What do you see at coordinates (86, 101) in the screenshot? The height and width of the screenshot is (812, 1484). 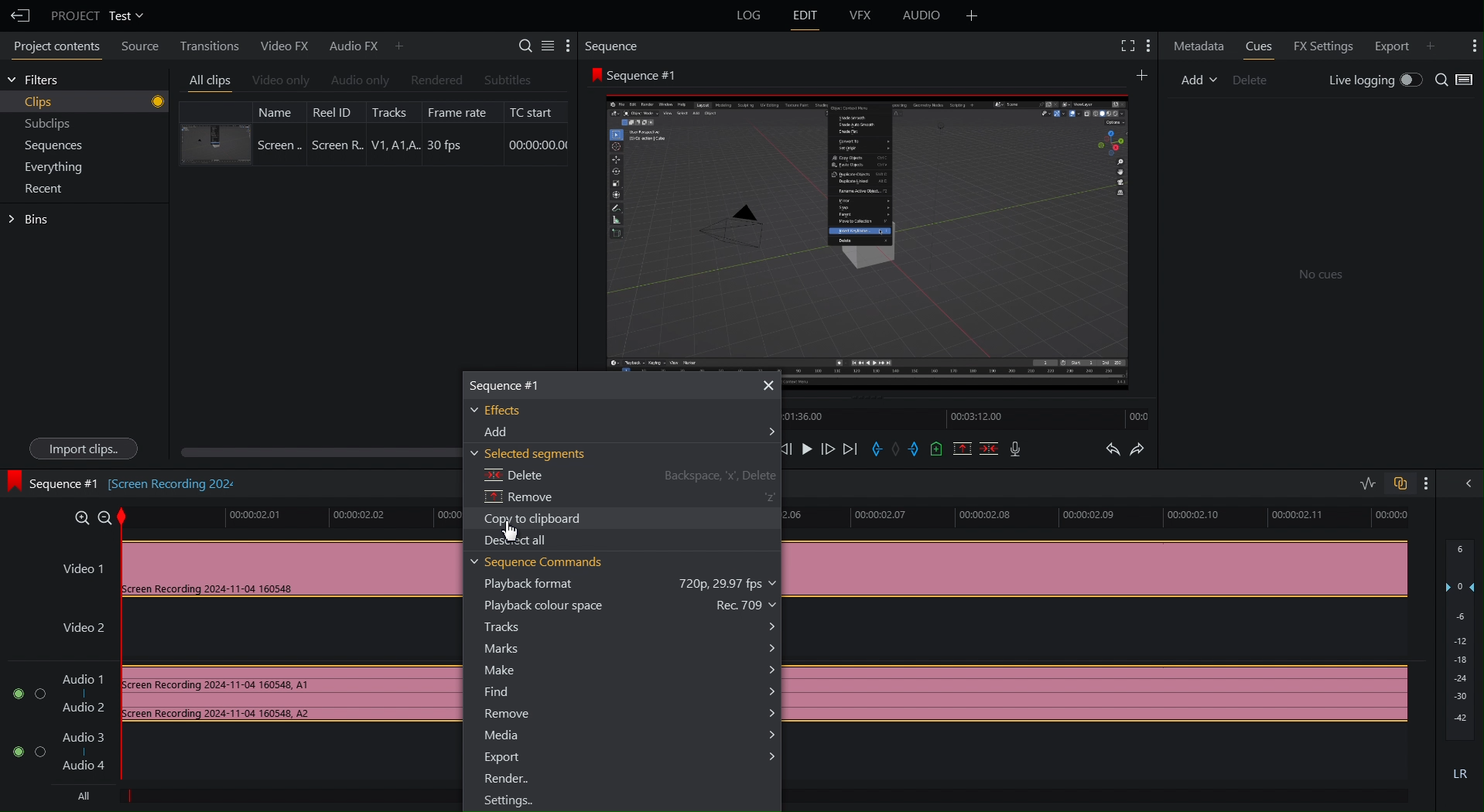 I see `Clips` at bounding box center [86, 101].